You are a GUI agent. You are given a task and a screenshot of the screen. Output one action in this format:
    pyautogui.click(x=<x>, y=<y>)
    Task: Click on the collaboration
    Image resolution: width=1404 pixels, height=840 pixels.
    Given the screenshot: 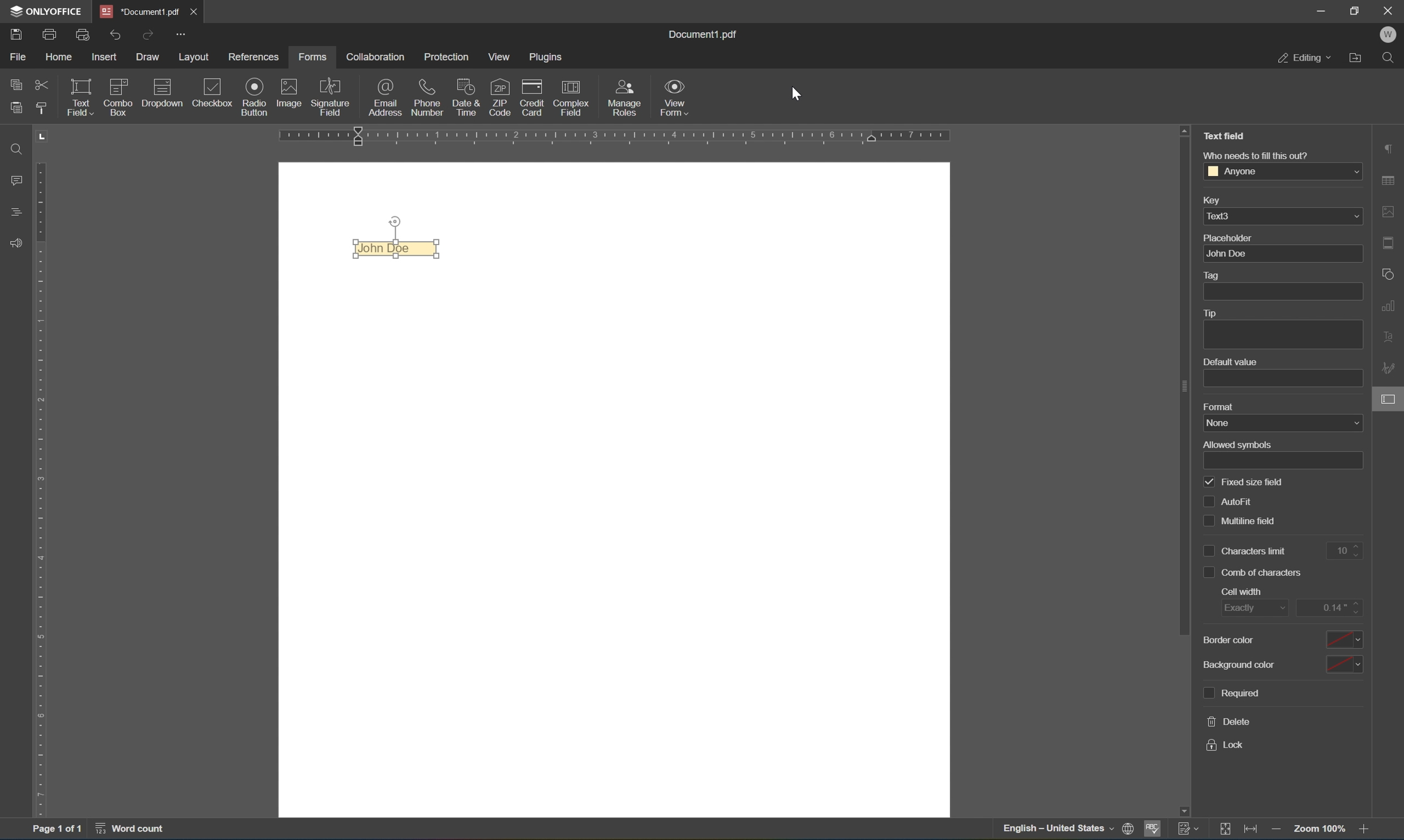 What is the action you would take?
    pyautogui.click(x=378, y=57)
    